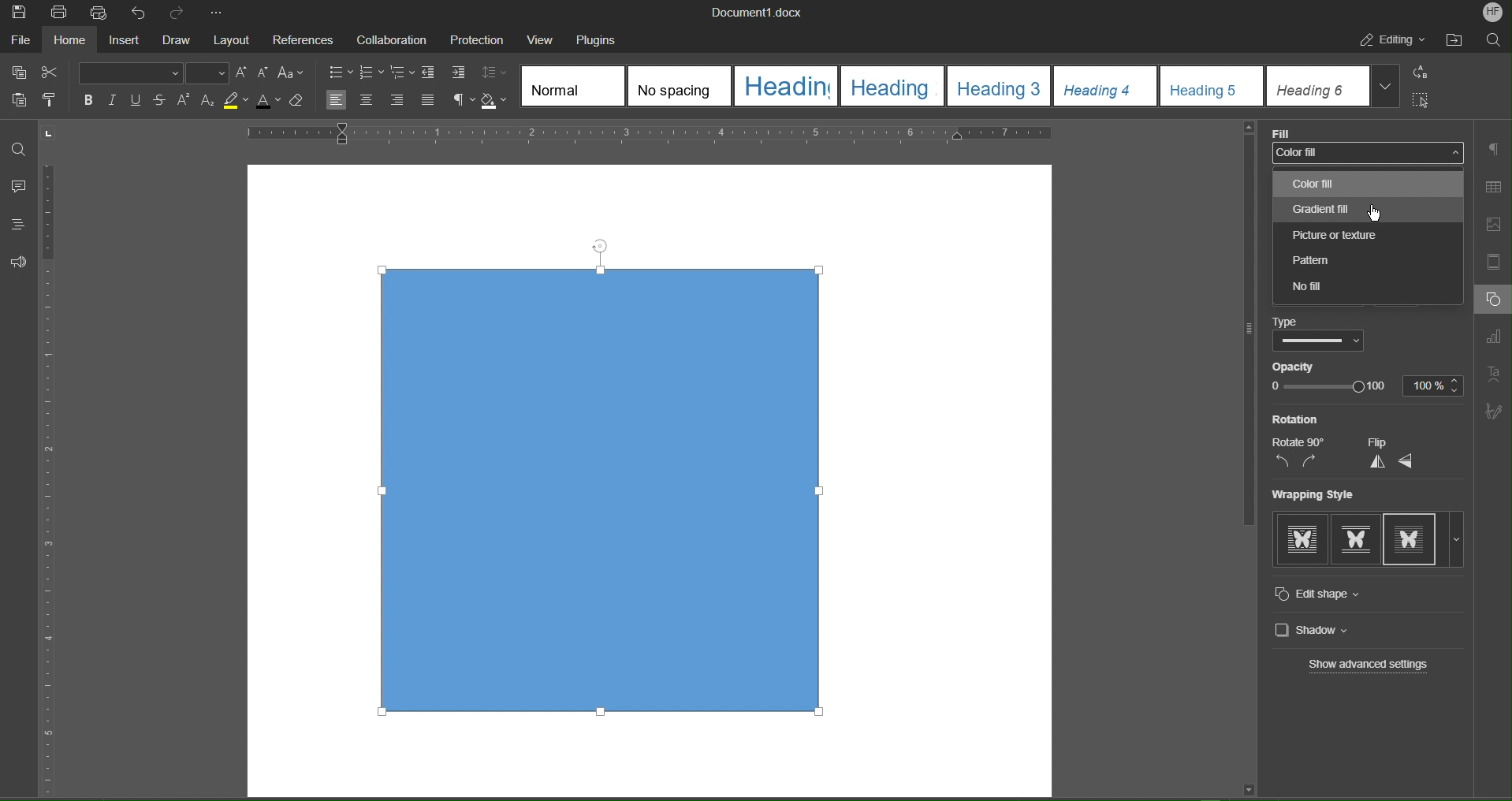 This screenshot has height=801, width=1512. Describe the element at coordinates (208, 102) in the screenshot. I see `Subscript` at that location.